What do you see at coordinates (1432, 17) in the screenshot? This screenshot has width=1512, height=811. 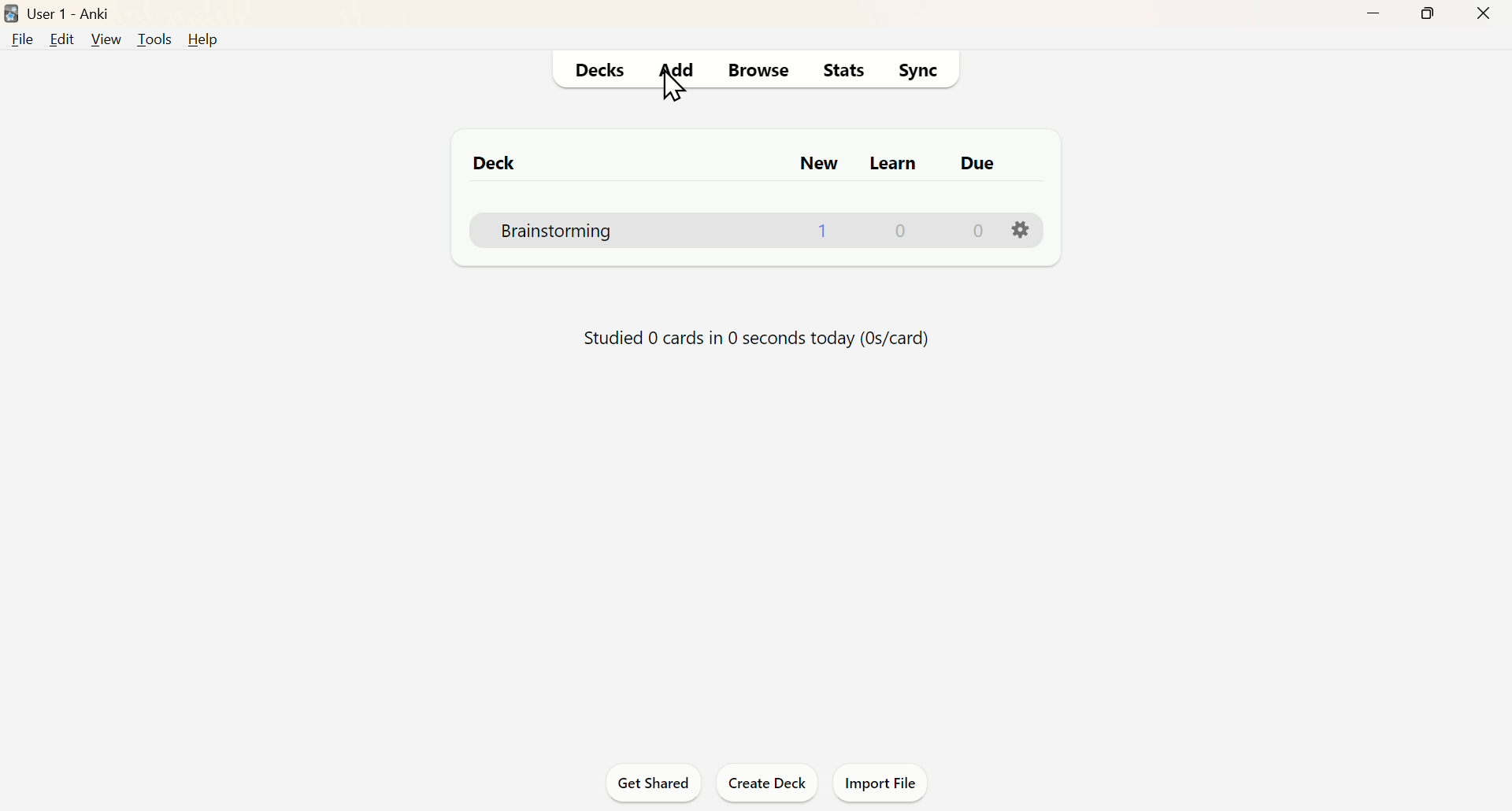 I see ` Maimize` at bounding box center [1432, 17].